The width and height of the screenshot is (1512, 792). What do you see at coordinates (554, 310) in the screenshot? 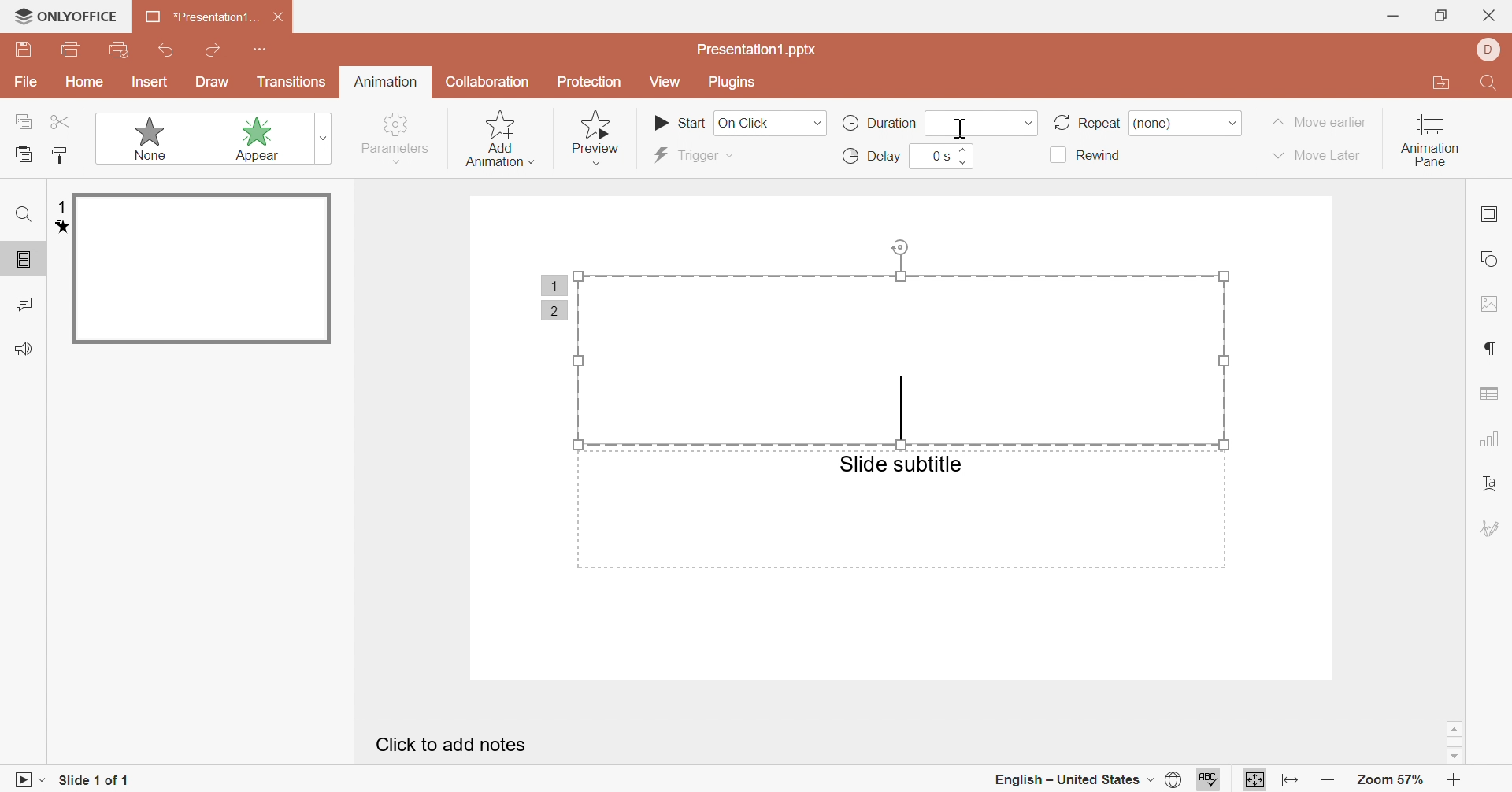
I see `2` at bounding box center [554, 310].